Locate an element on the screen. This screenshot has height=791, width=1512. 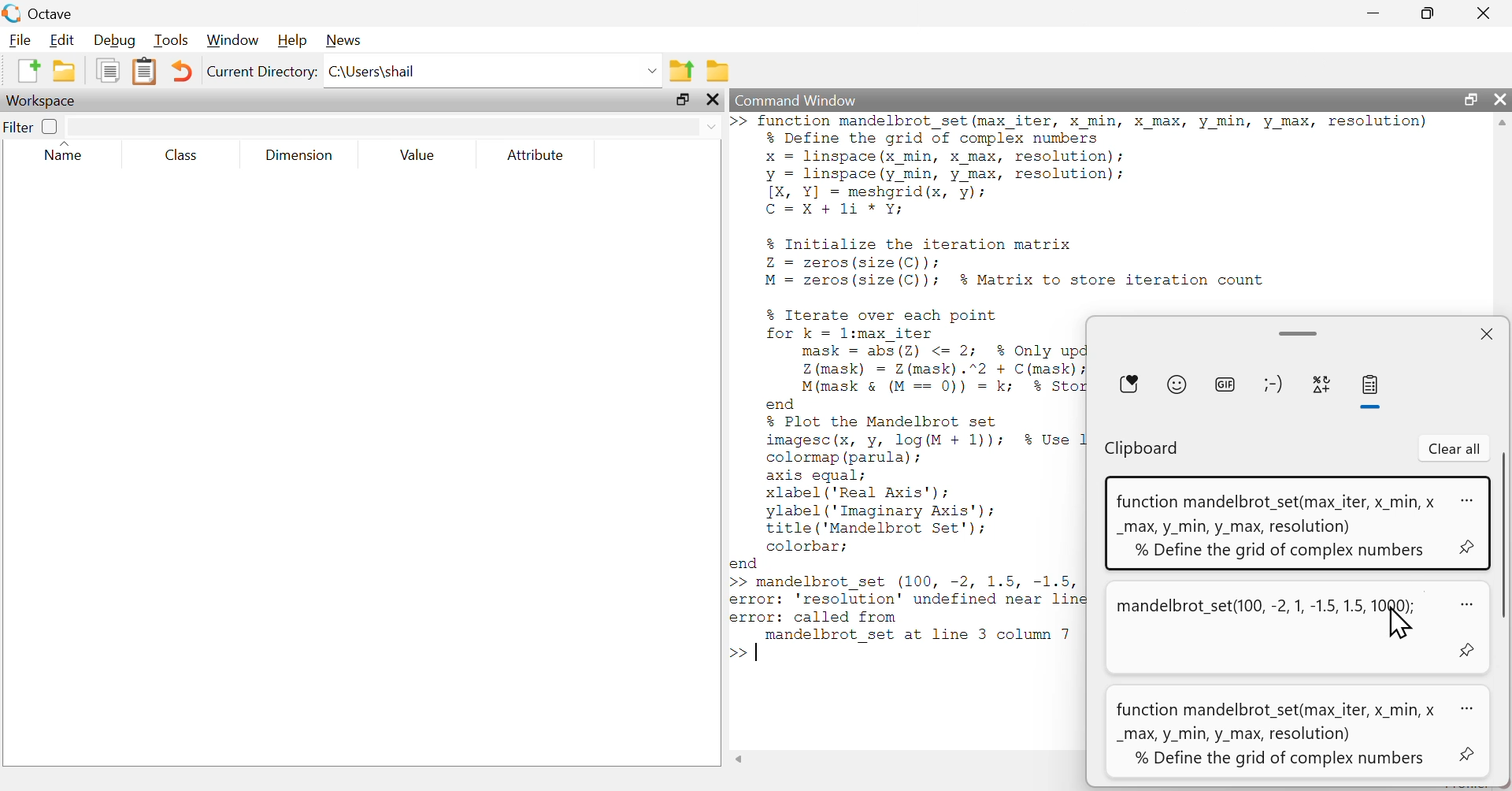
options is located at coordinates (1466, 707).